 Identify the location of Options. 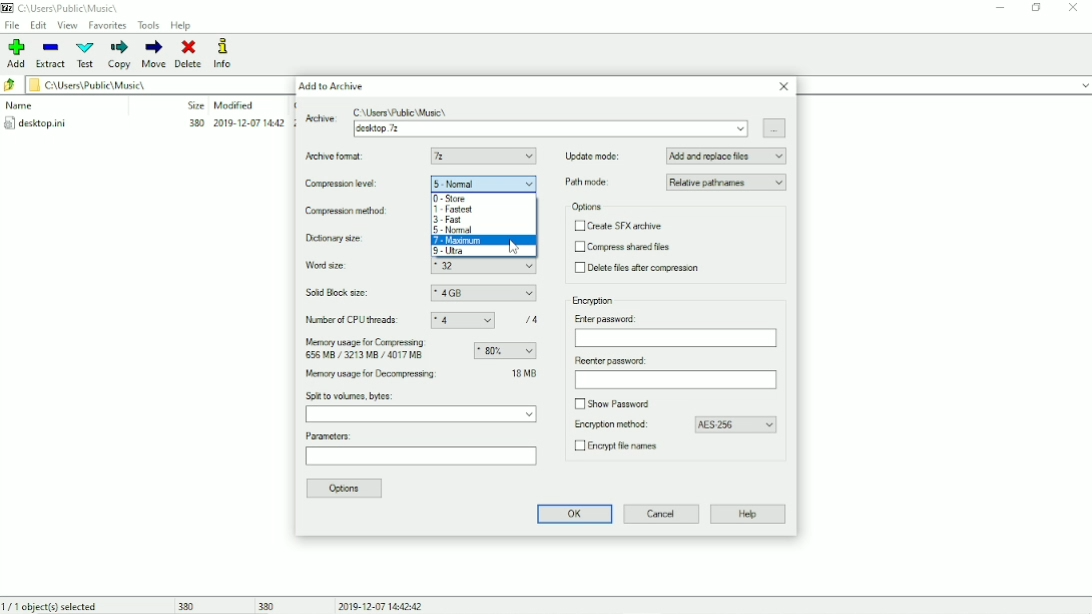
(588, 207).